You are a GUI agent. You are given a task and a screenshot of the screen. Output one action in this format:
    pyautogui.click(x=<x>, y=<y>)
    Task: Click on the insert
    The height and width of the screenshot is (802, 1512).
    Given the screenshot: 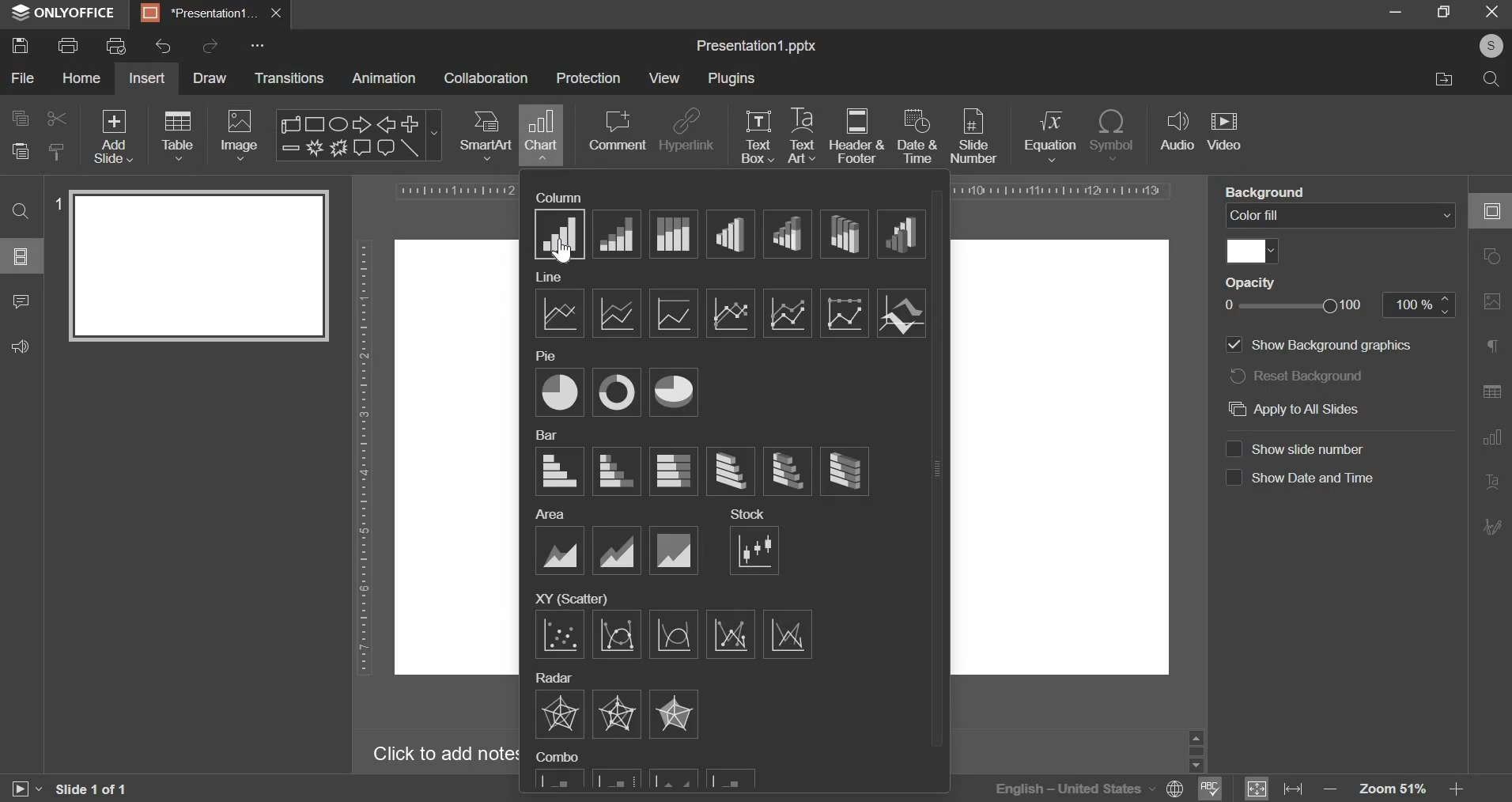 What is the action you would take?
    pyautogui.click(x=146, y=78)
    